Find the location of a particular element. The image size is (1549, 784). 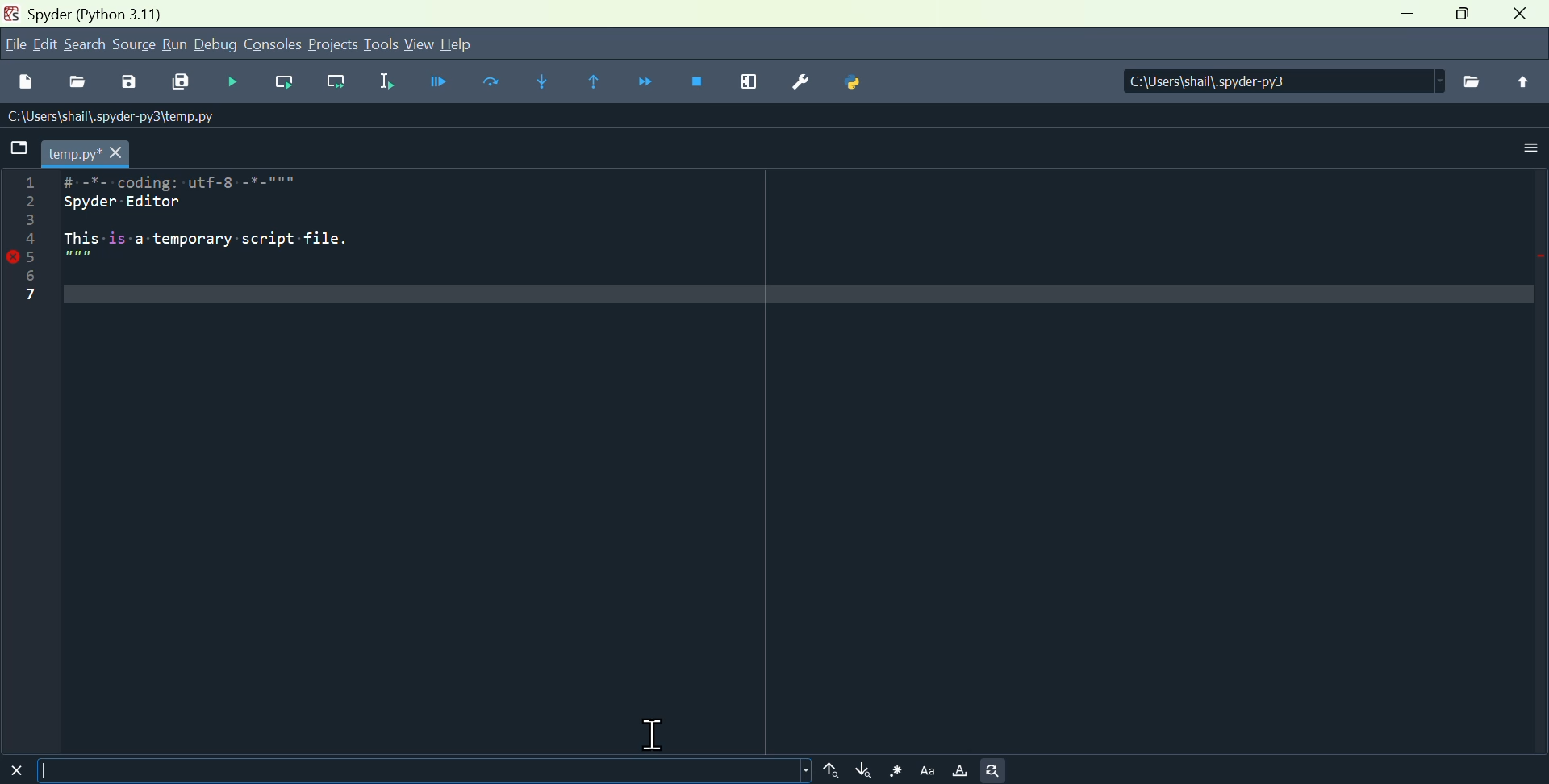

Only search for wjole words is located at coordinates (959, 769).